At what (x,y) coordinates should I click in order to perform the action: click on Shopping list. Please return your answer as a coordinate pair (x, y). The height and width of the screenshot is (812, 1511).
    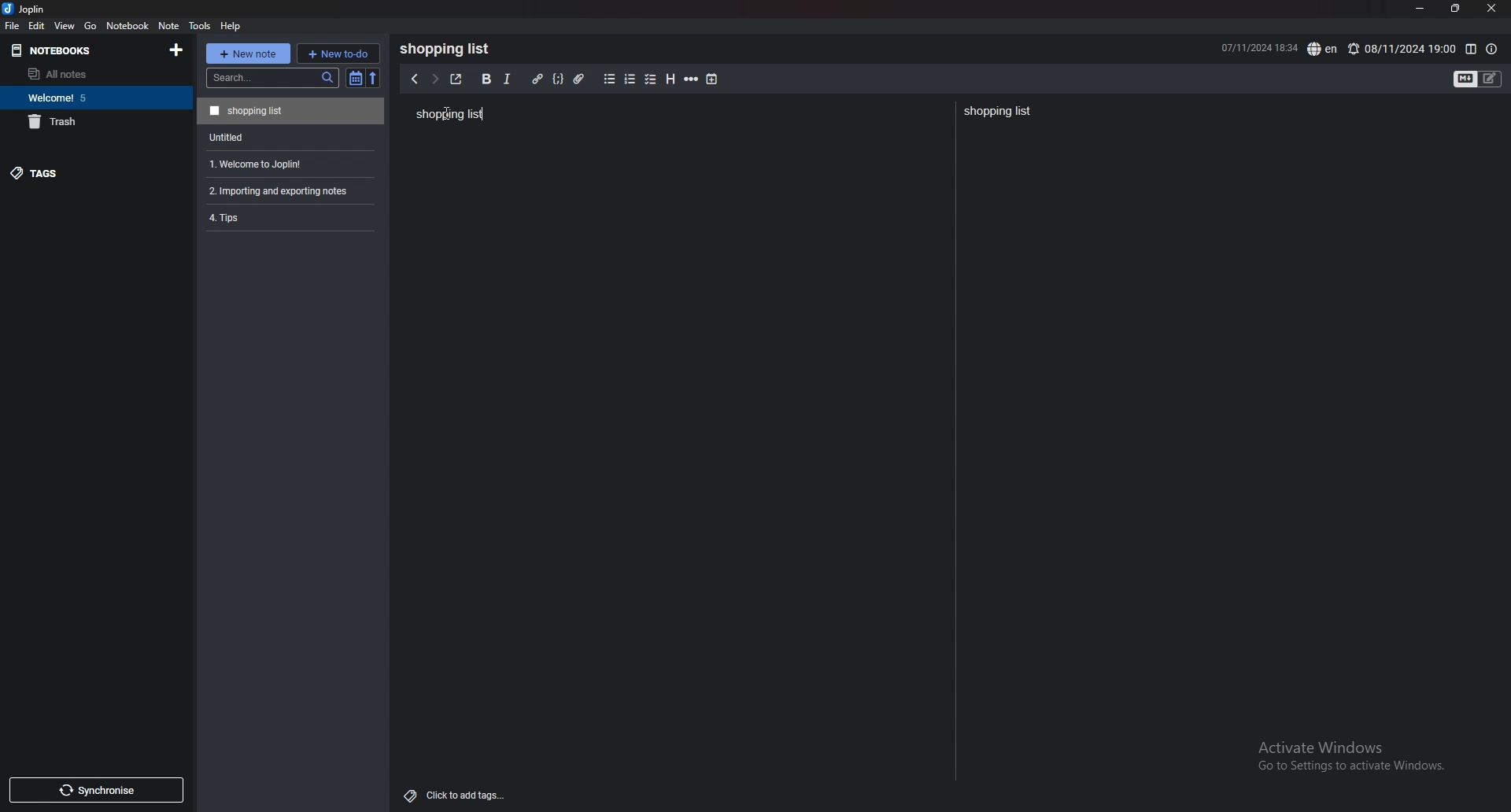
    Looking at the image, I should click on (449, 114).